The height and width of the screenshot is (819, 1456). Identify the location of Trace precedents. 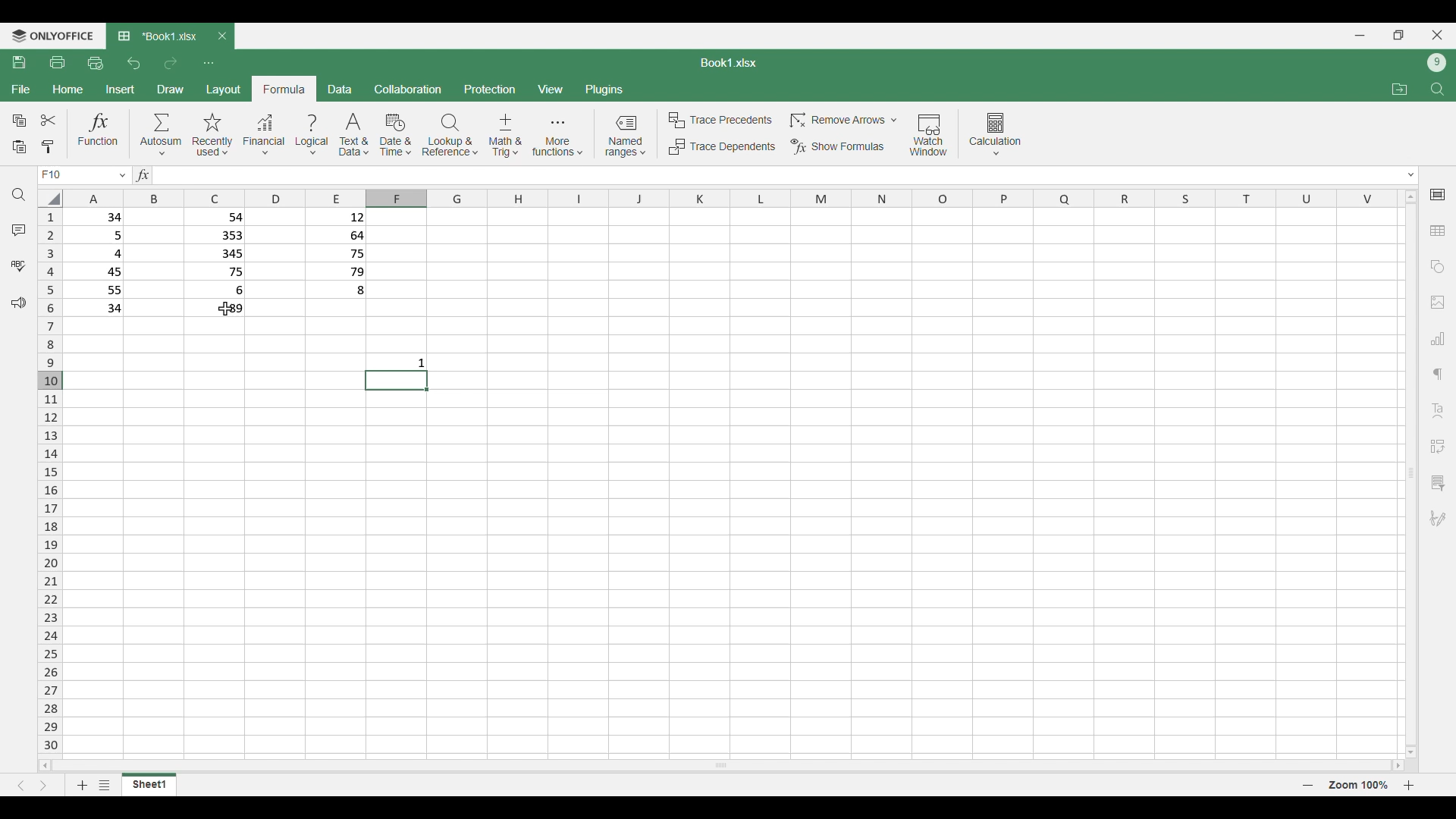
(719, 121).